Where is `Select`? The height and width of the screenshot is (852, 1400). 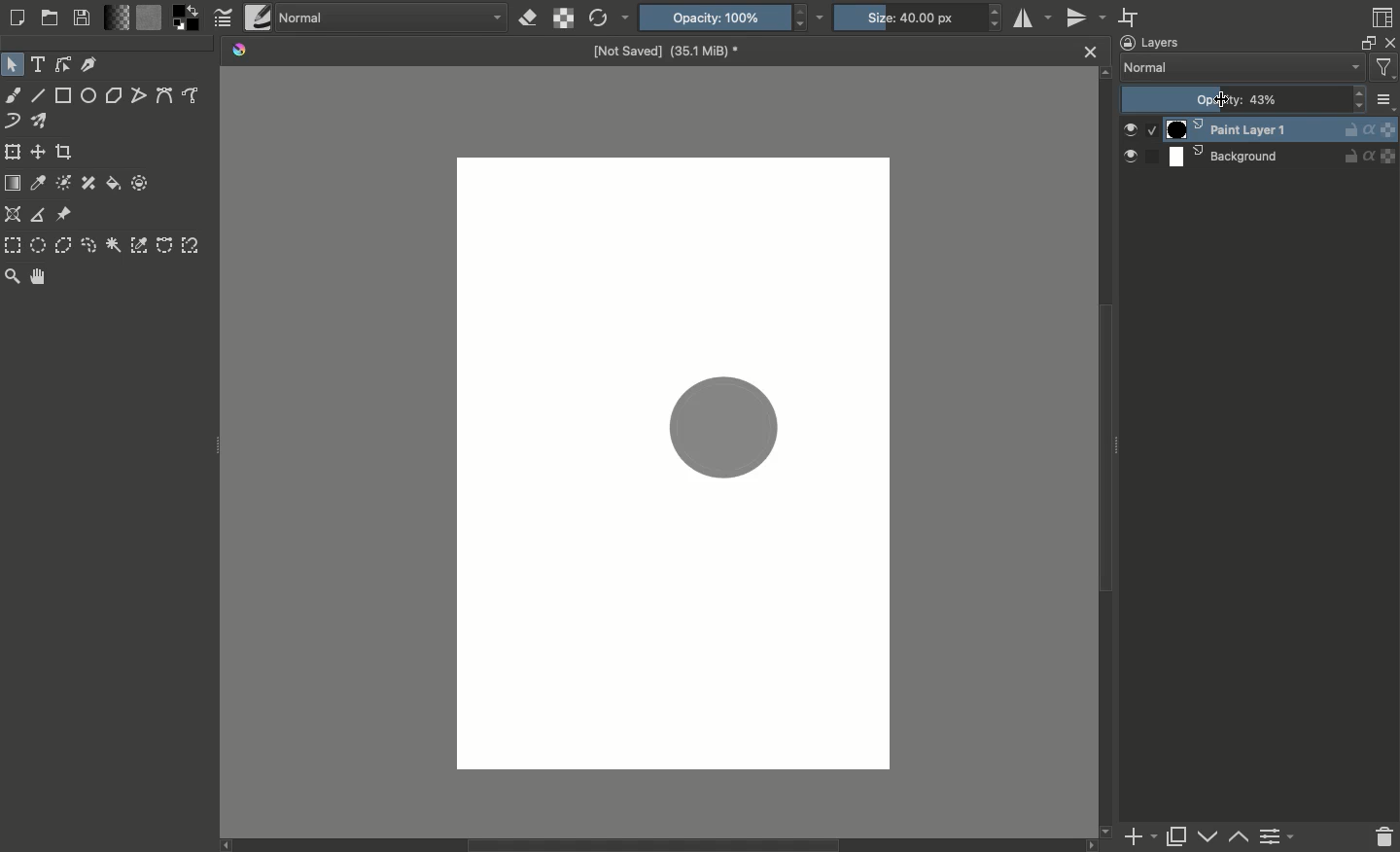
Select is located at coordinates (14, 64).